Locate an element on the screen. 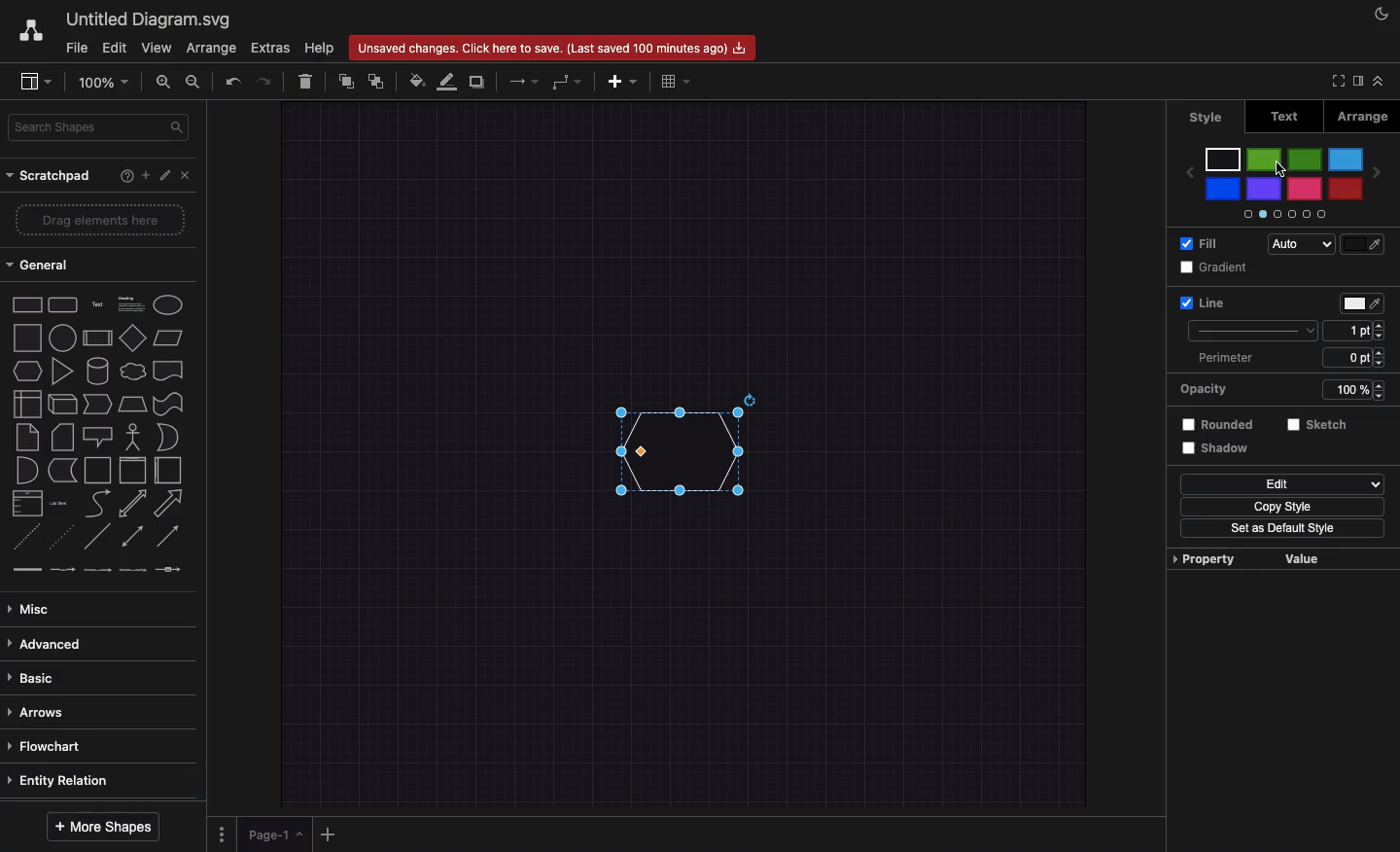  Basic is located at coordinates (34, 677).